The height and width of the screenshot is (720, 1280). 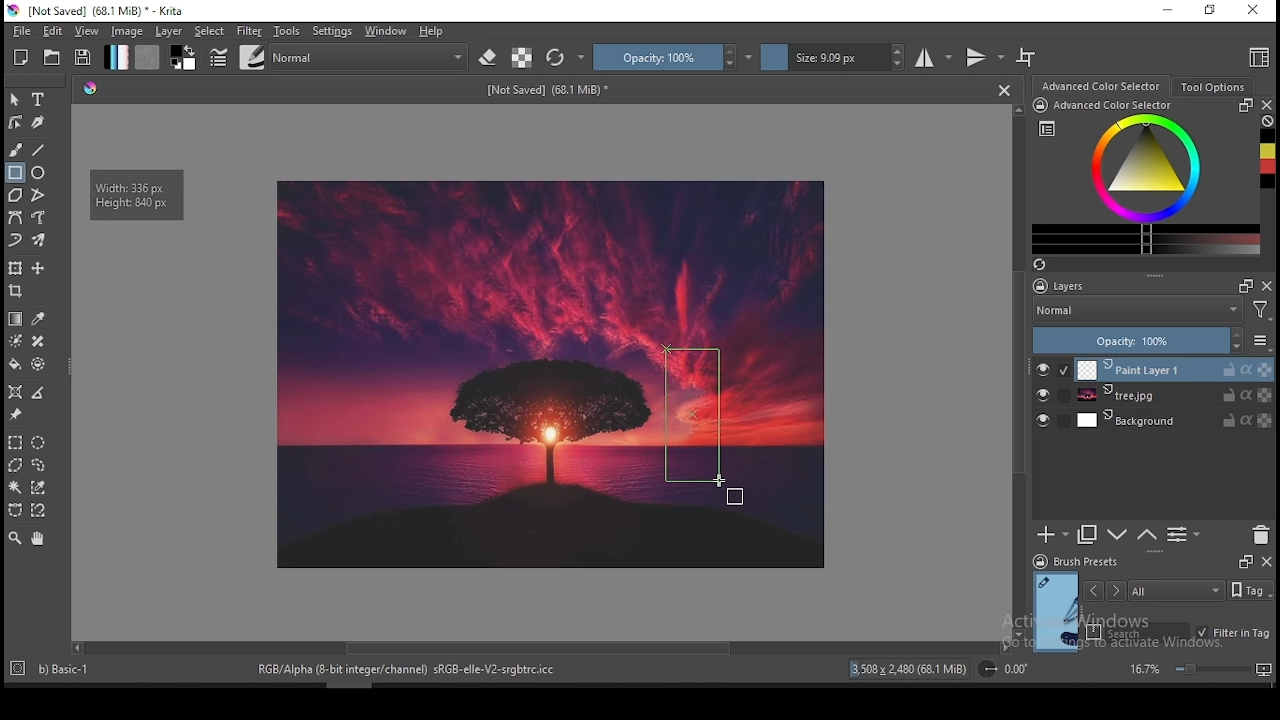 What do you see at coordinates (490, 56) in the screenshot?
I see `set eraser mode` at bounding box center [490, 56].